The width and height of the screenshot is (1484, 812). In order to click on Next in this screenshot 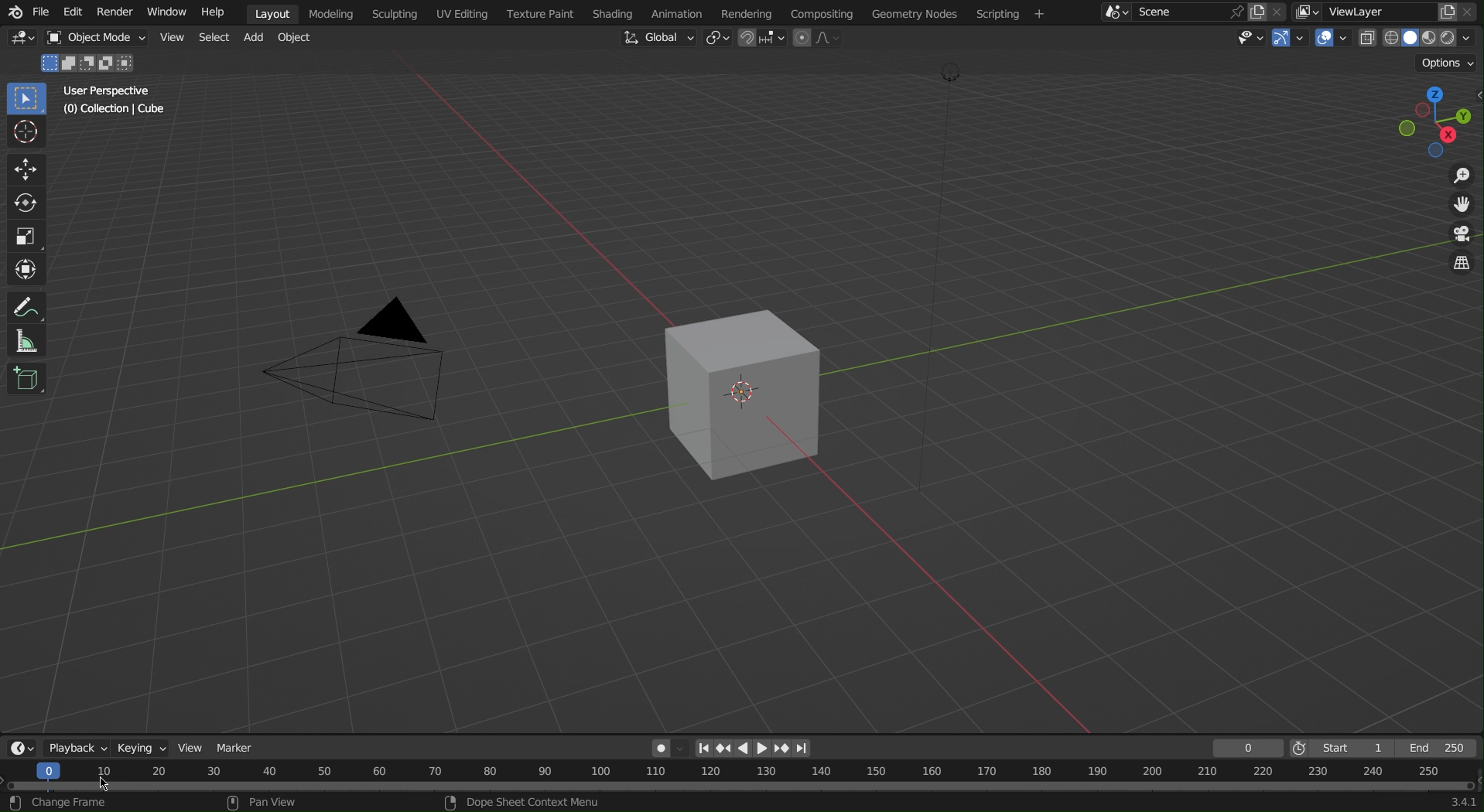, I will do `click(785, 749)`.